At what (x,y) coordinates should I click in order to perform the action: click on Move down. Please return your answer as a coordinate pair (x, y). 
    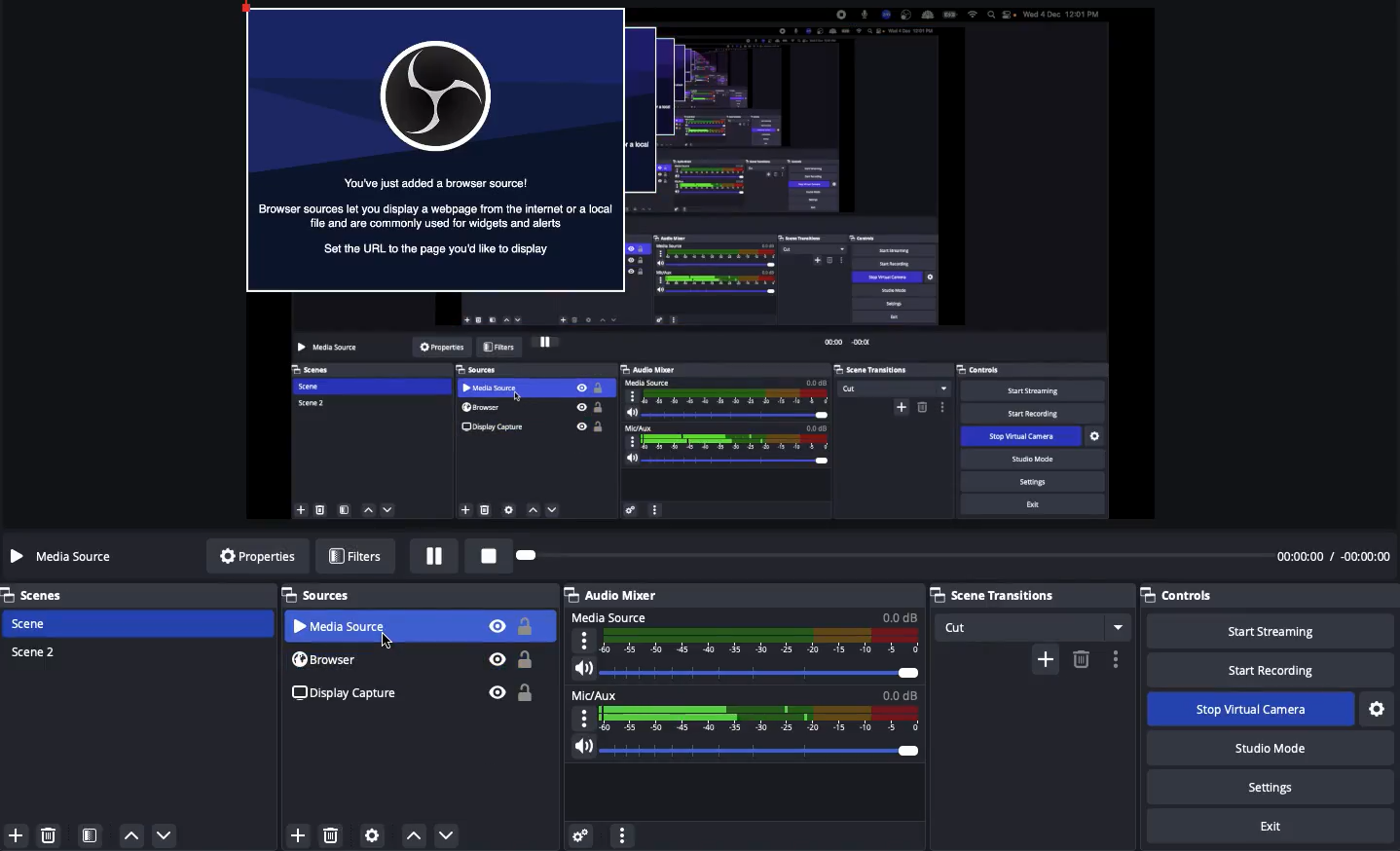
    Looking at the image, I should click on (446, 835).